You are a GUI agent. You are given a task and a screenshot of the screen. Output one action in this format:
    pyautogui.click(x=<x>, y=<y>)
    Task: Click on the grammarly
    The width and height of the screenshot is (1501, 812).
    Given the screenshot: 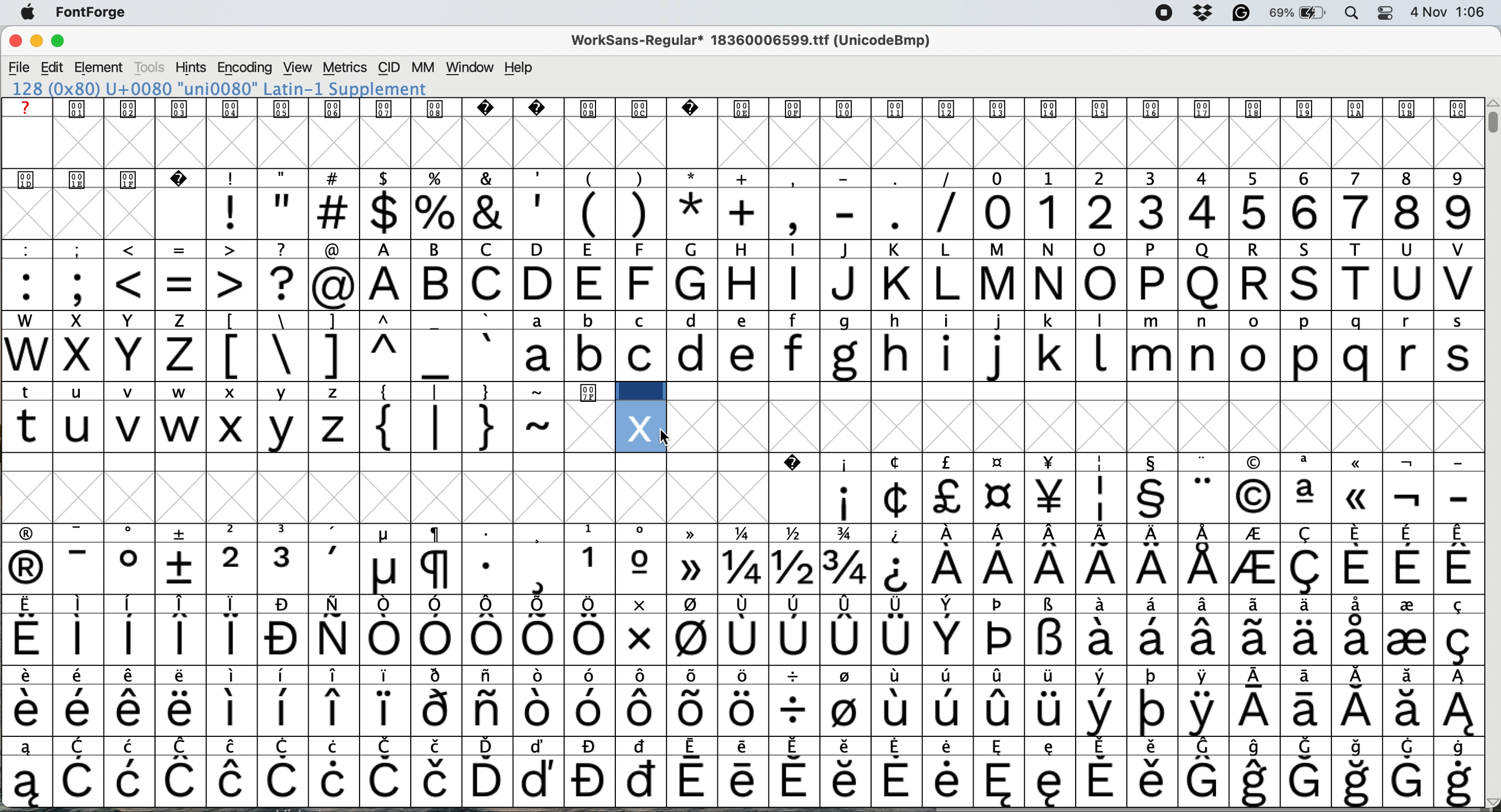 What is the action you would take?
    pyautogui.click(x=1239, y=13)
    